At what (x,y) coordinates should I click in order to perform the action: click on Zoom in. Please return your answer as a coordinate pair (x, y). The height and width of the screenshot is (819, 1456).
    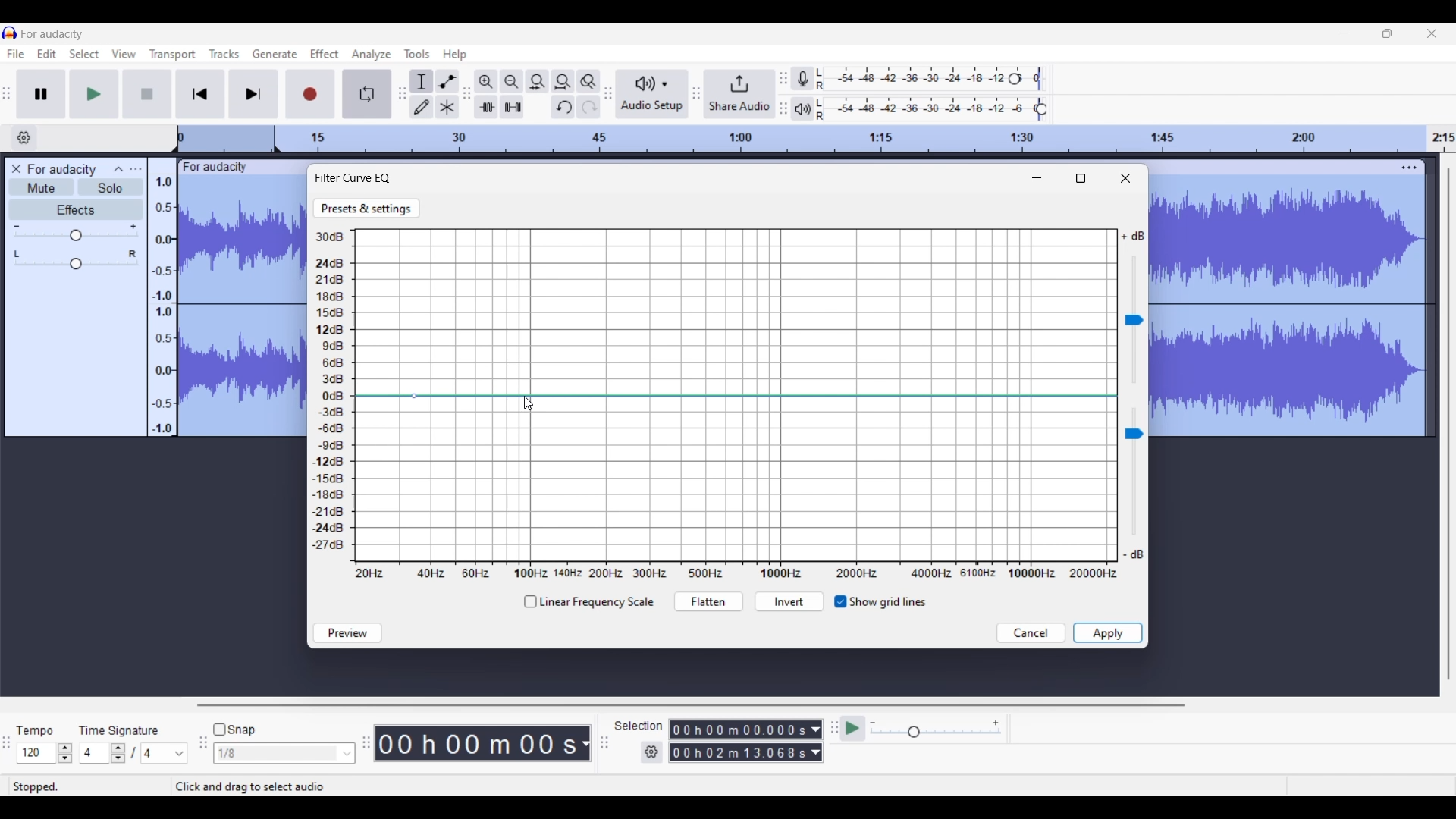
    Looking at the image, I should click on (486, 81).